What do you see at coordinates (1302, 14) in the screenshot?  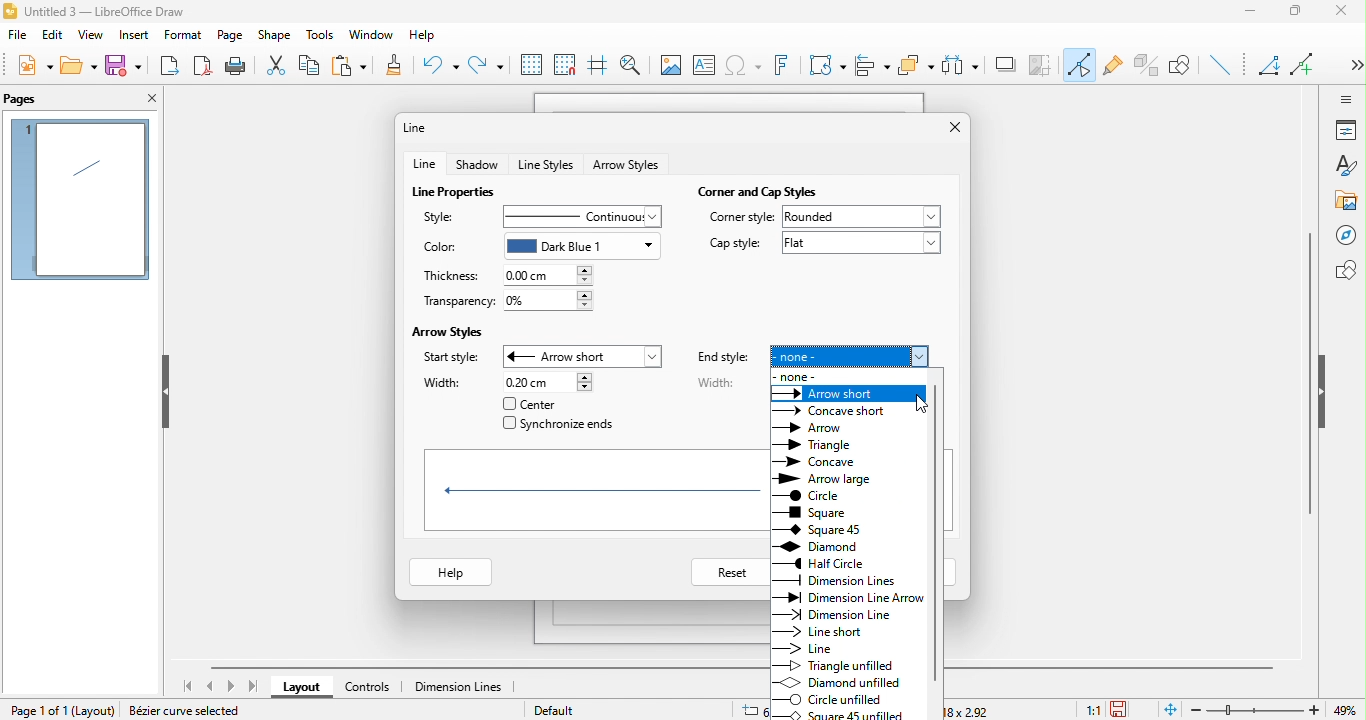 I see `maximize` at bounding box center [1302, 14].